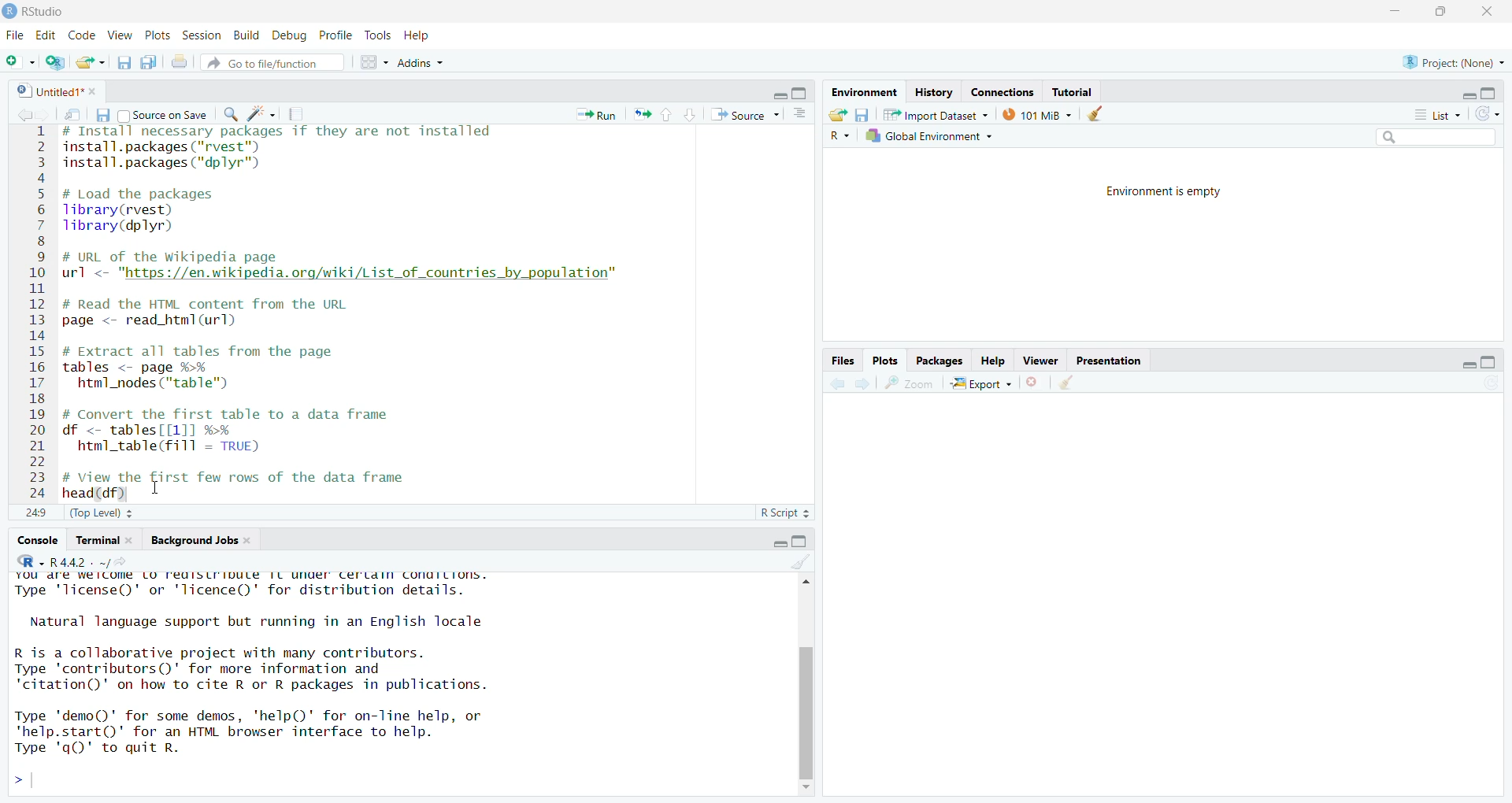 The image size is (1512, 803). I want to click on # URL of the wikipedia pageurl <- "https://en.wikipedia.org/wiki/List_of_countries_by population", so click(343, 268).